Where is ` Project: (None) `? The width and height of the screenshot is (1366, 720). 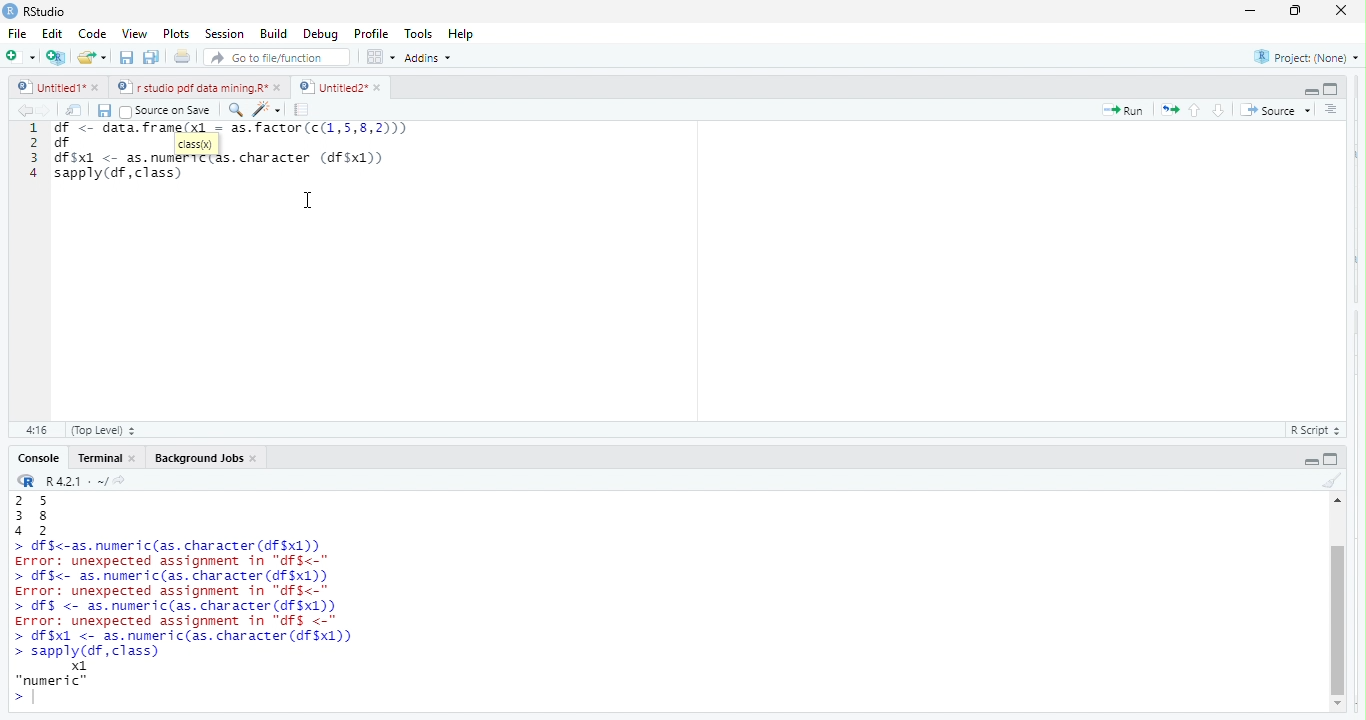
 Project: (None)  is located at coordinates (1307, 58).